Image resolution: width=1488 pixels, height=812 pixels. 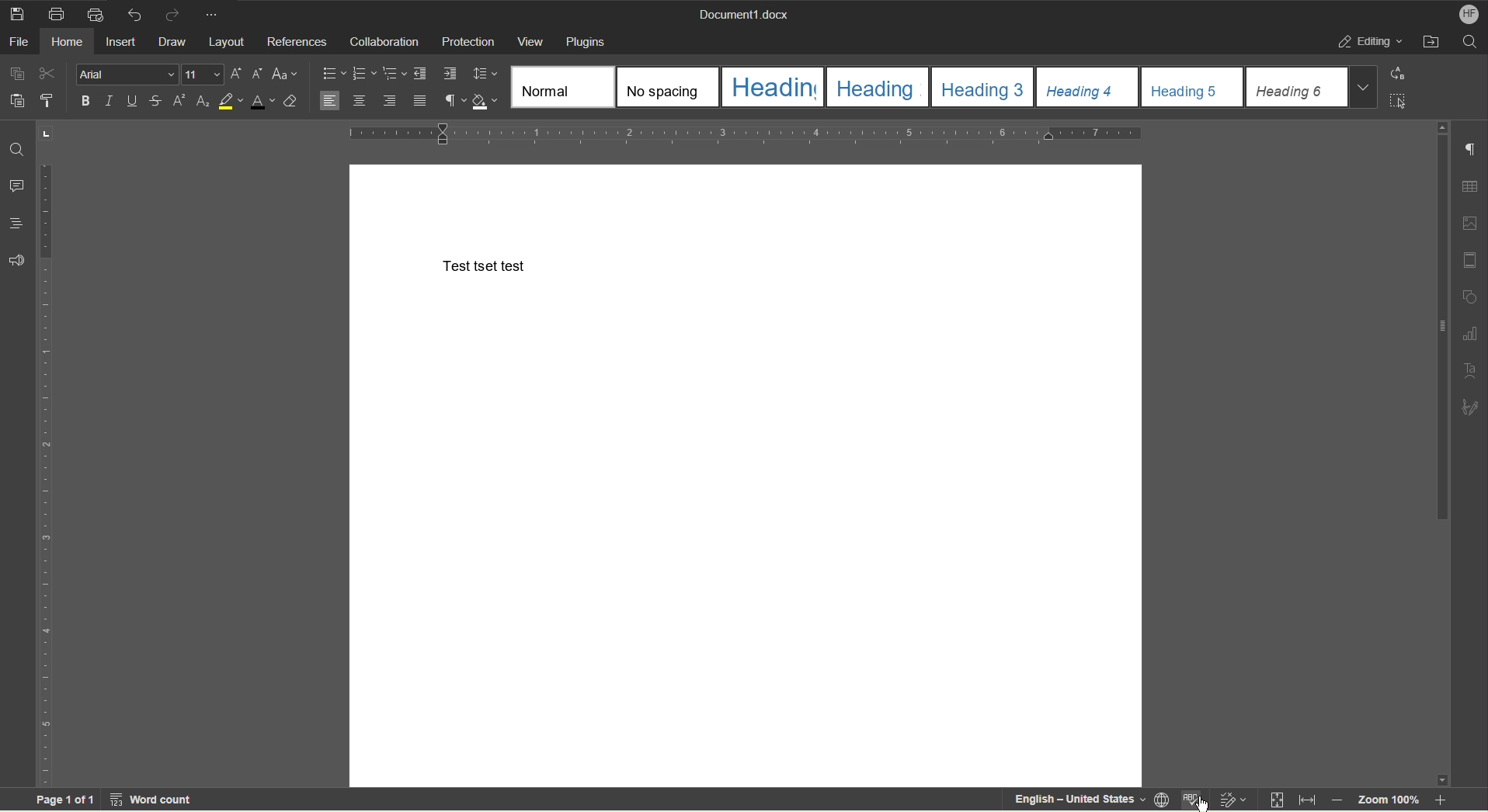 What do you see at coordinates (1469, 371) in the screenshot?
I see `Text Art` at bounding box center [1469, 371].